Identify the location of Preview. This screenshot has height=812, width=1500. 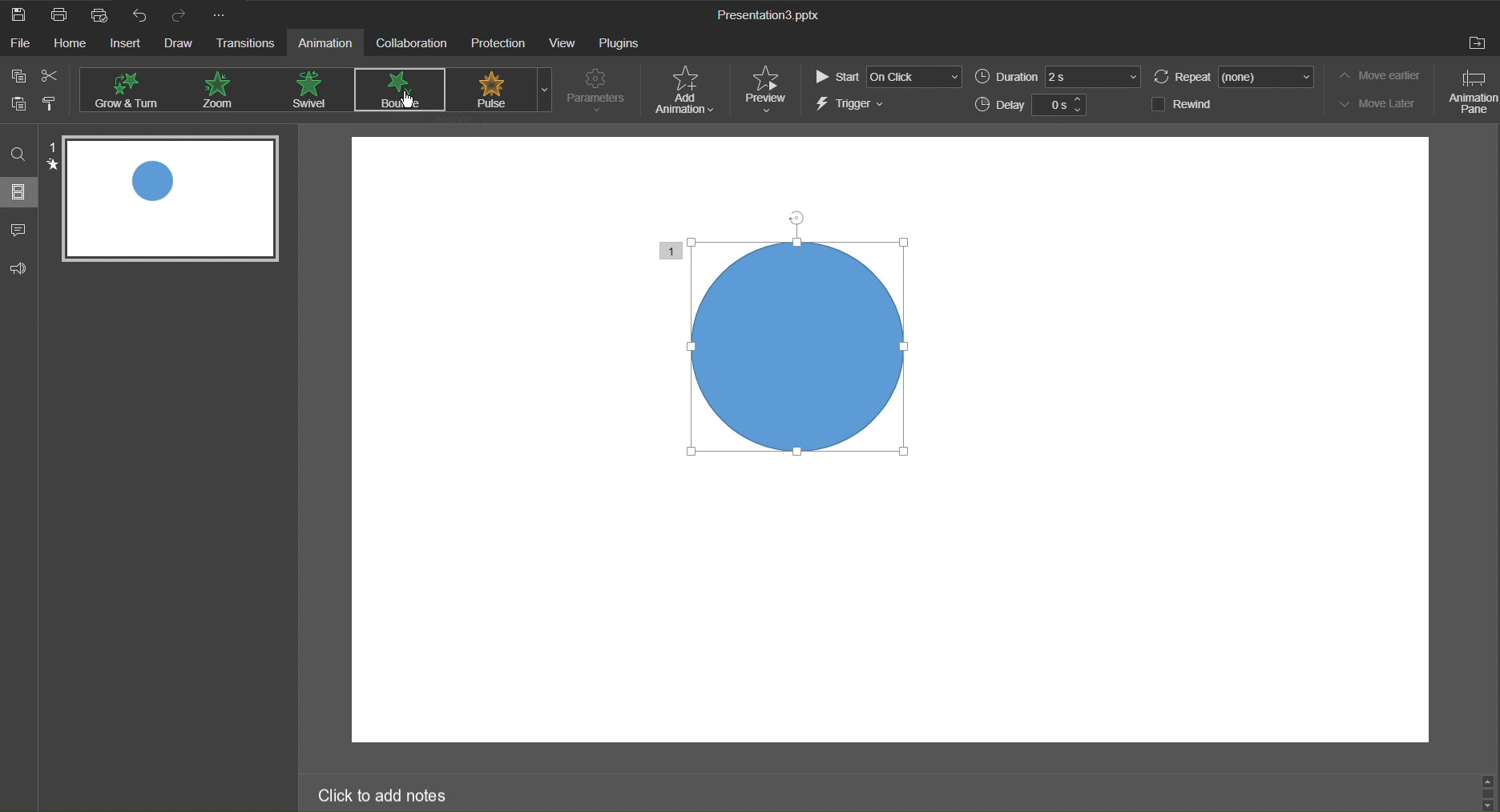
(770, 88).